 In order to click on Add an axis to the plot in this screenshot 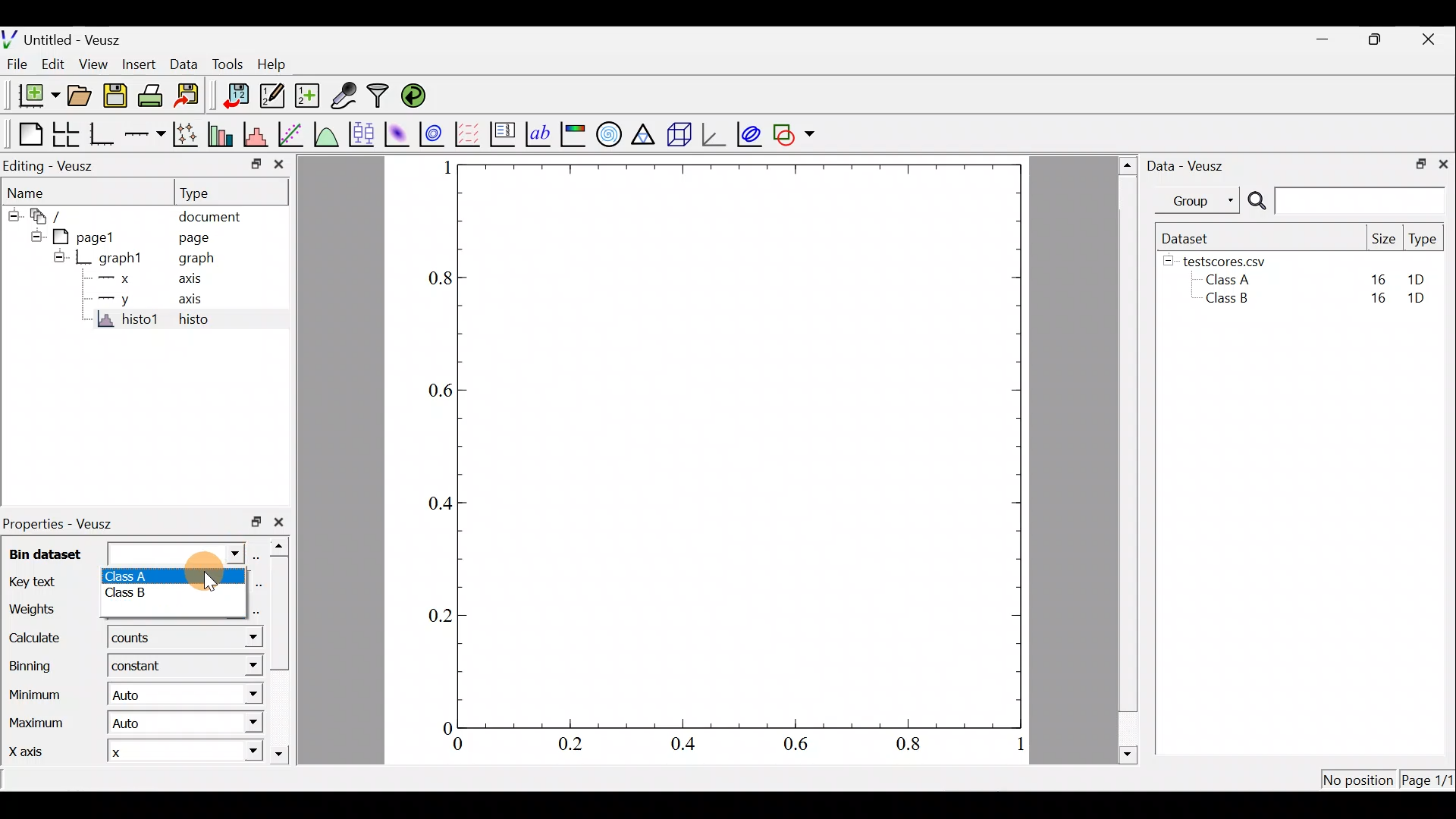, I will do `click(144, 135)`.